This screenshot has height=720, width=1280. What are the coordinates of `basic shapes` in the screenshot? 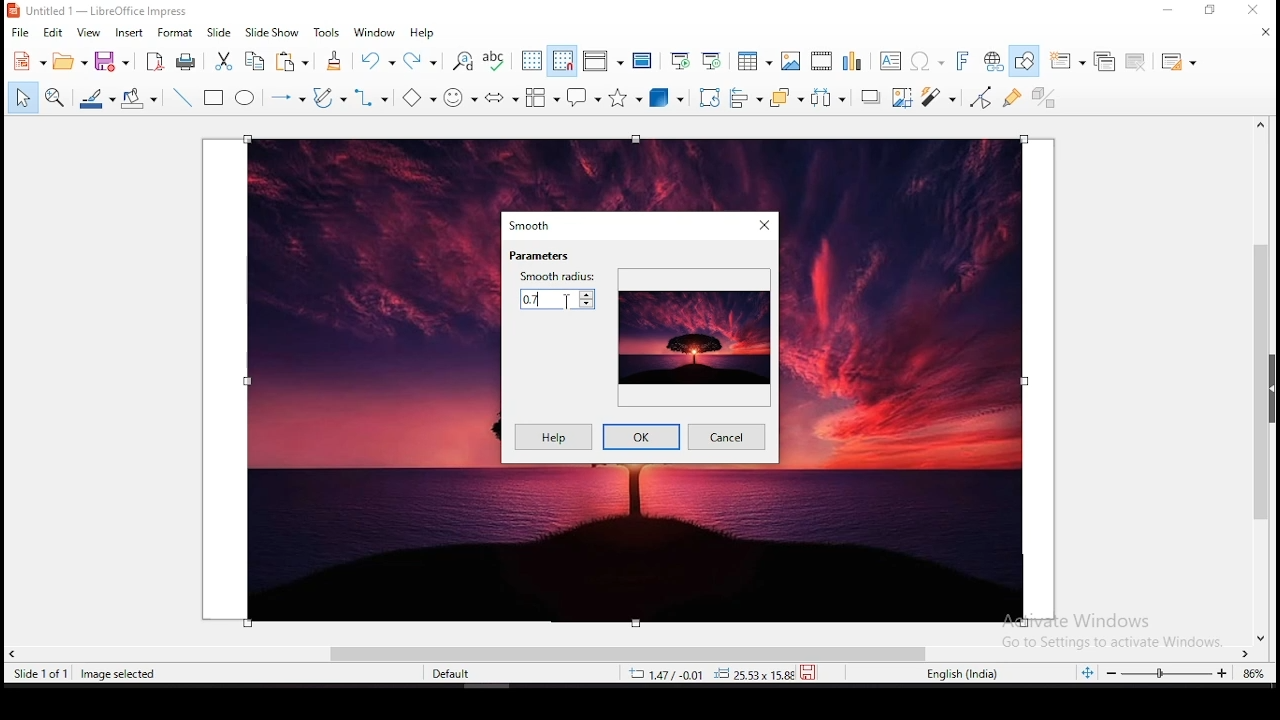 It's located at (419, 97).